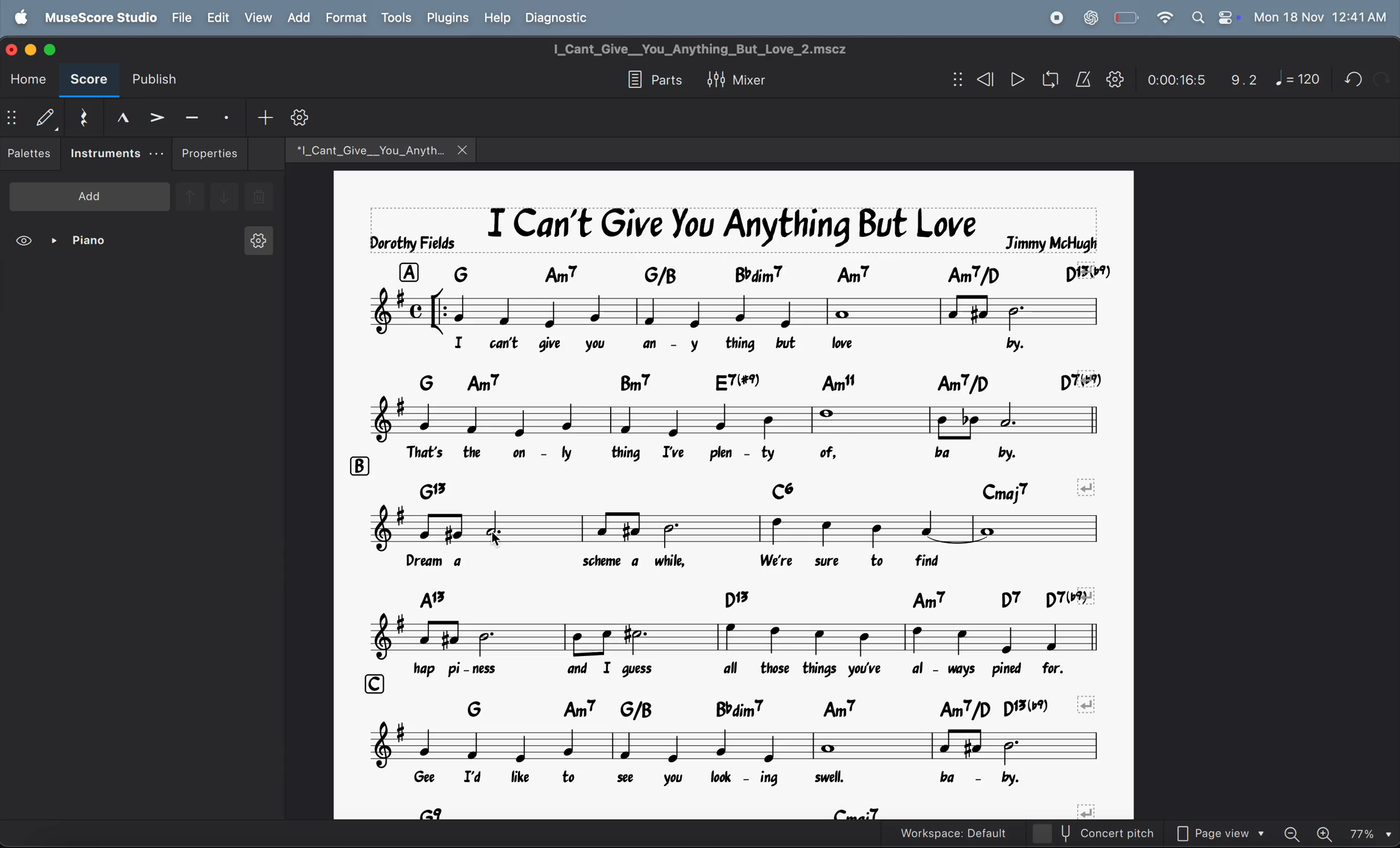 The height and width of the screenshot is (848, 1400). Describe the element at coordinates (1115, 81) in the screenshot. I see `play back settings` at that location.